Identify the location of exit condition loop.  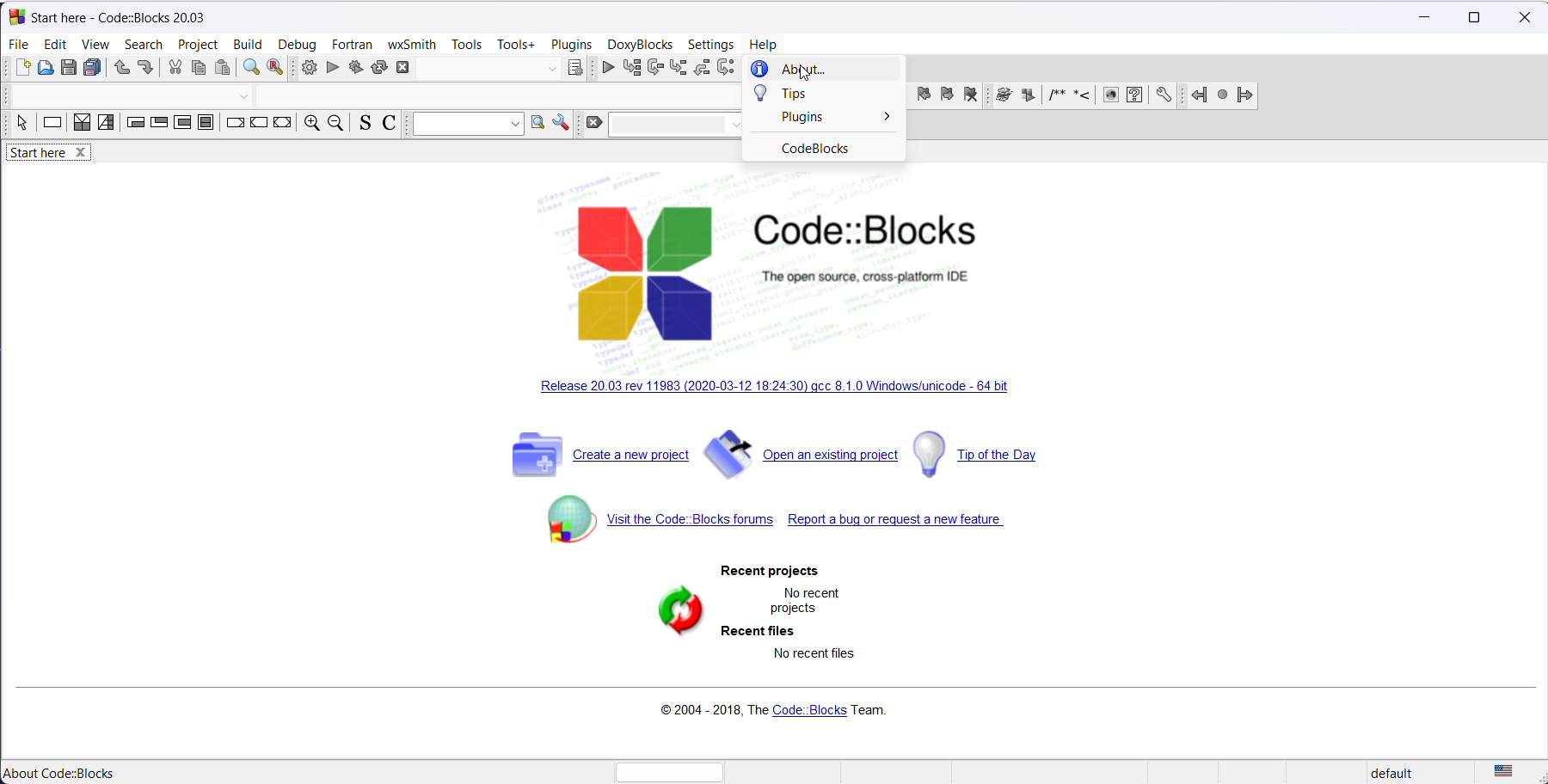
(159, 126).